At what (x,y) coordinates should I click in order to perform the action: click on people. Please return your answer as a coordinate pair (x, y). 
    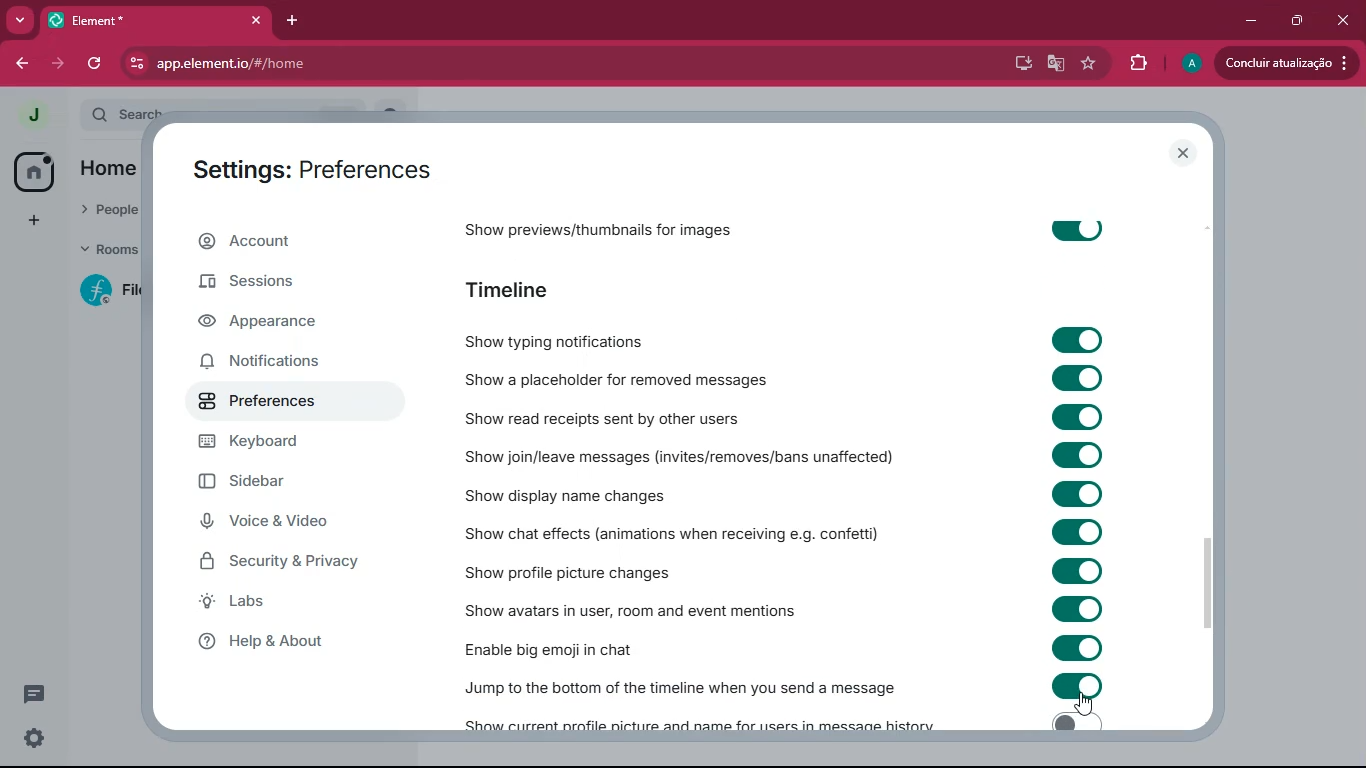
    Looking at the image, I should click on (108, 211).